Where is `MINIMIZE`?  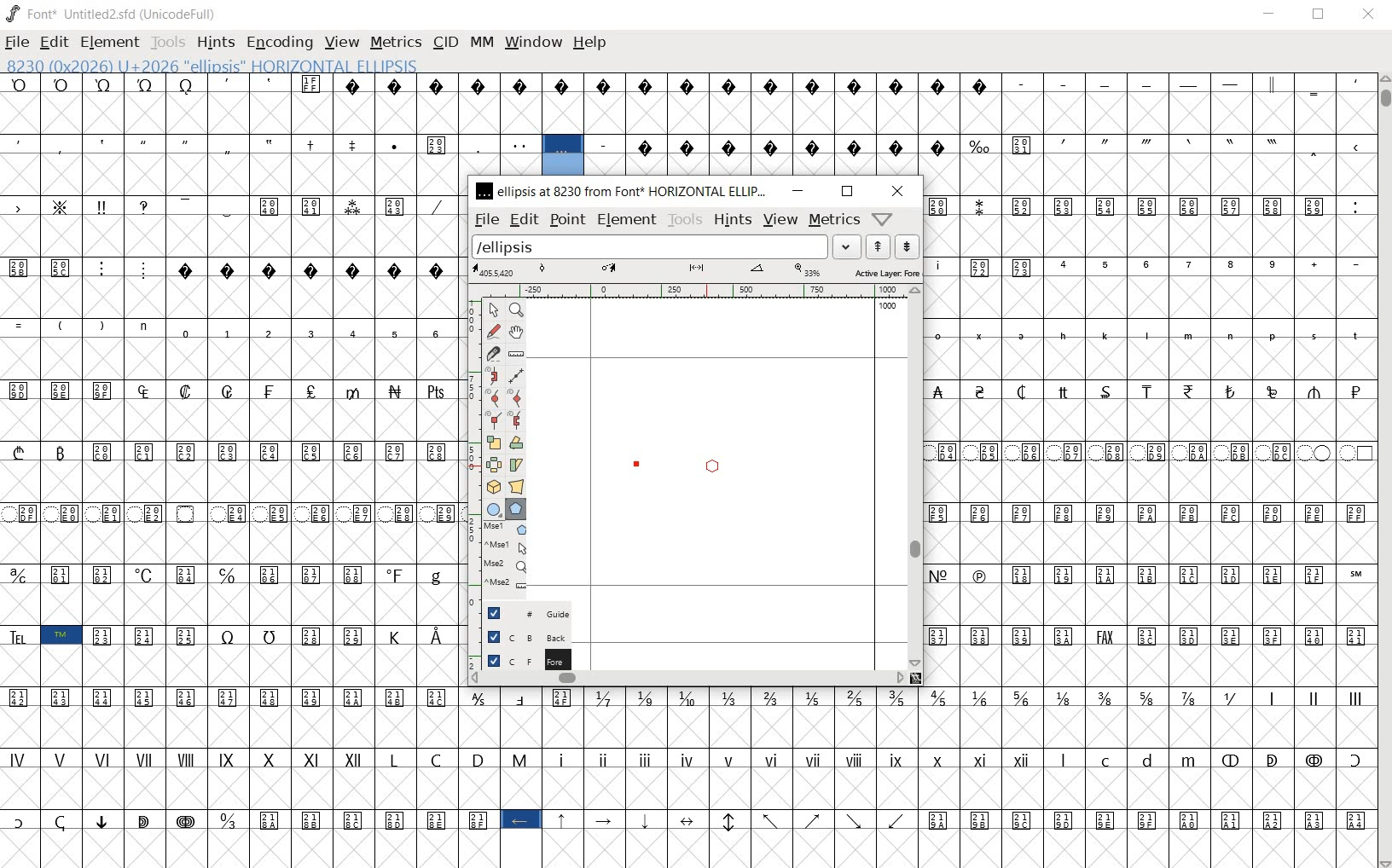 MINIMIZE is located at coordinates (1267, 14).